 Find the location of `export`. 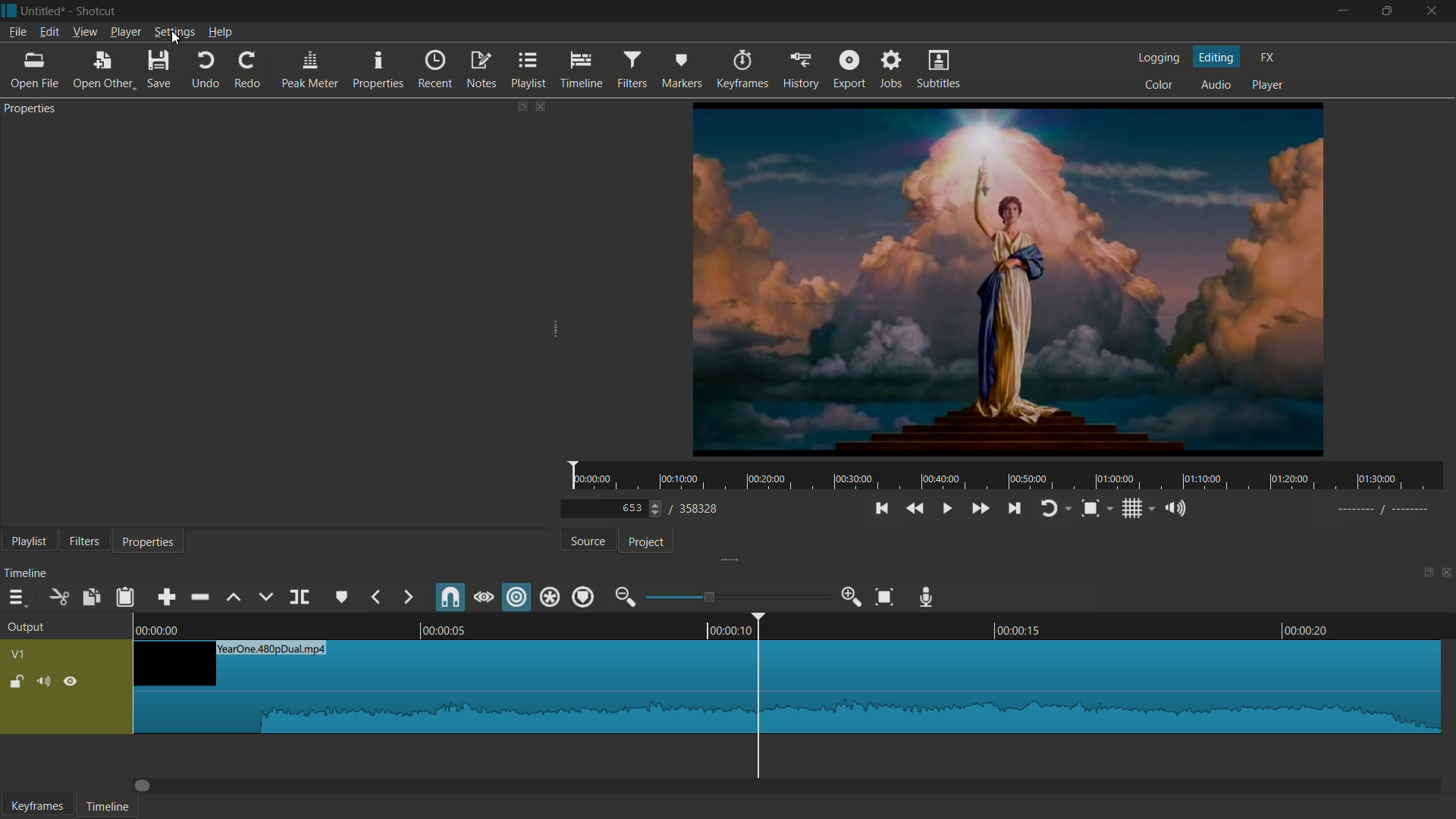

export is located at coordinates (851, 70).